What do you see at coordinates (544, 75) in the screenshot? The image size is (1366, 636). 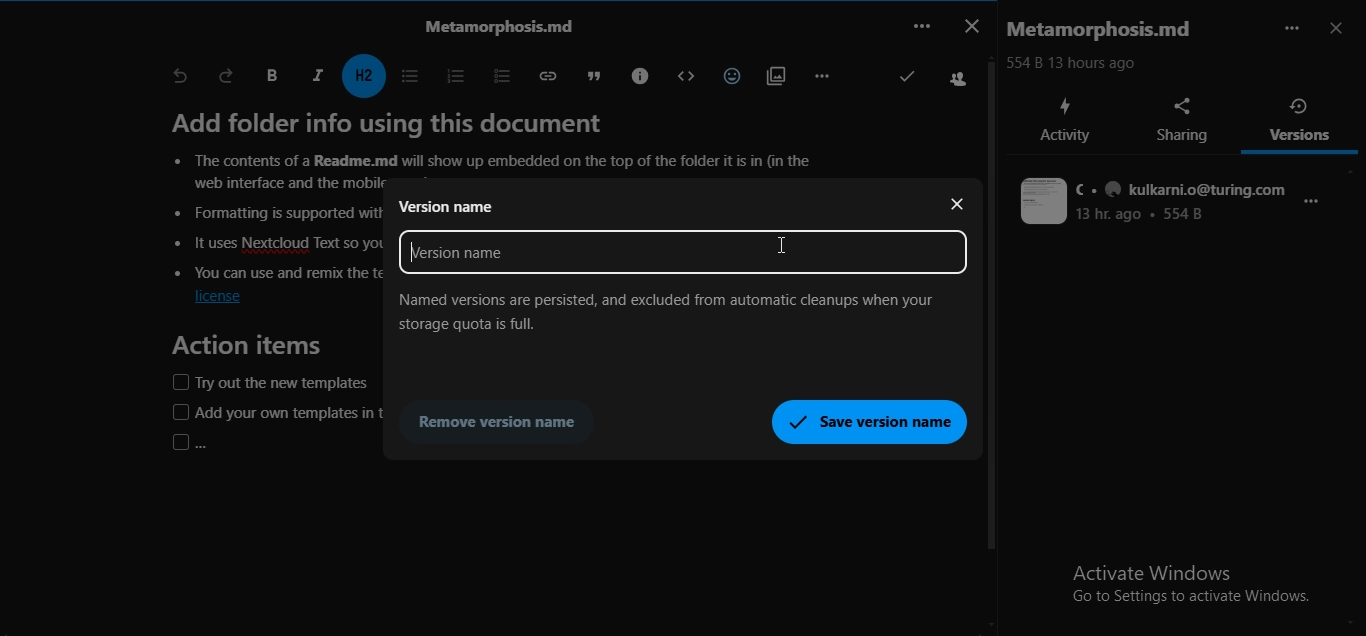 I see `insert link` at bounding box center [544, 75].